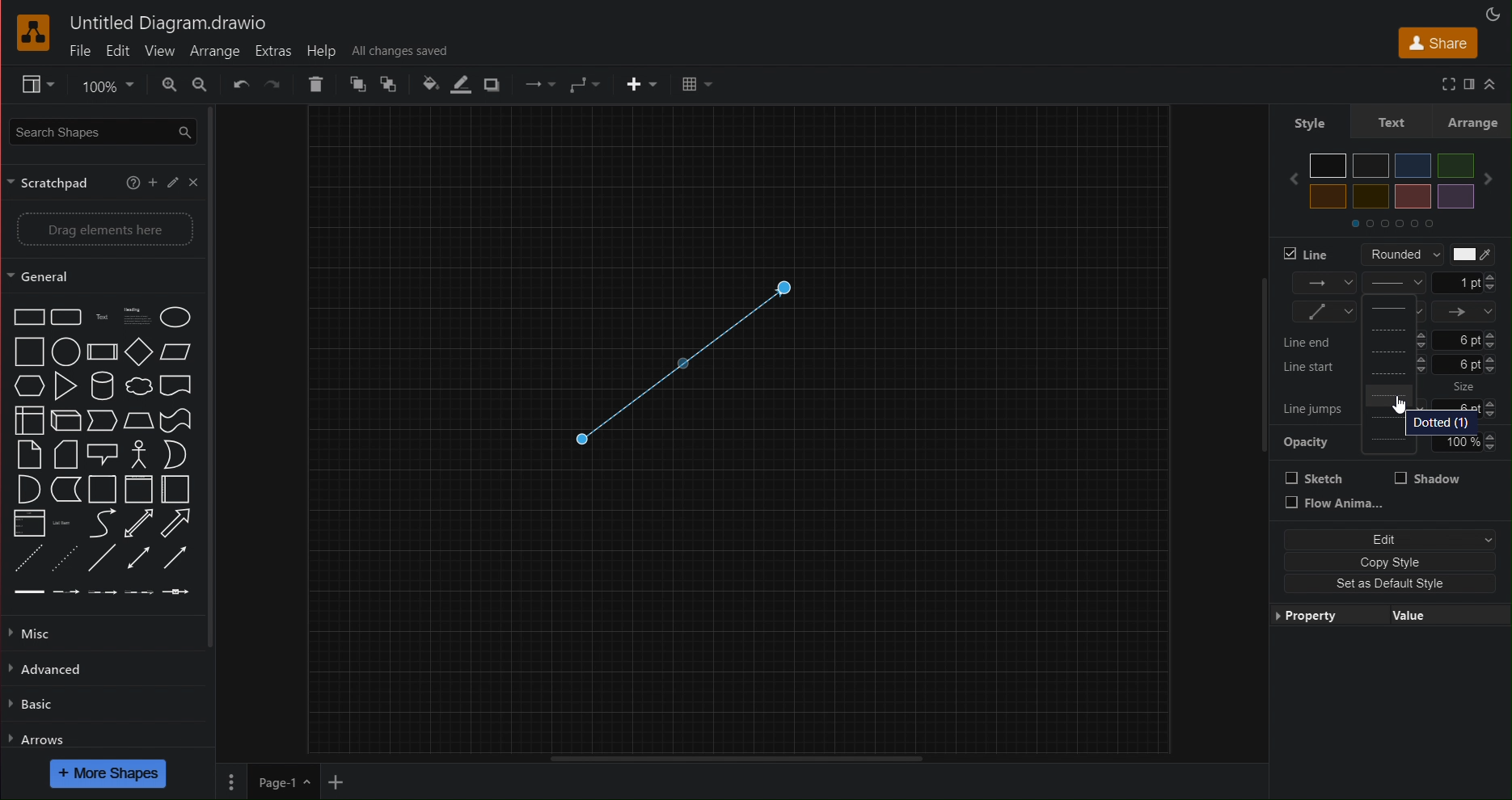  What do you see at coordinates (35, 34) in the screenshot?
I see `Logo` at bounding box center [35, 34].